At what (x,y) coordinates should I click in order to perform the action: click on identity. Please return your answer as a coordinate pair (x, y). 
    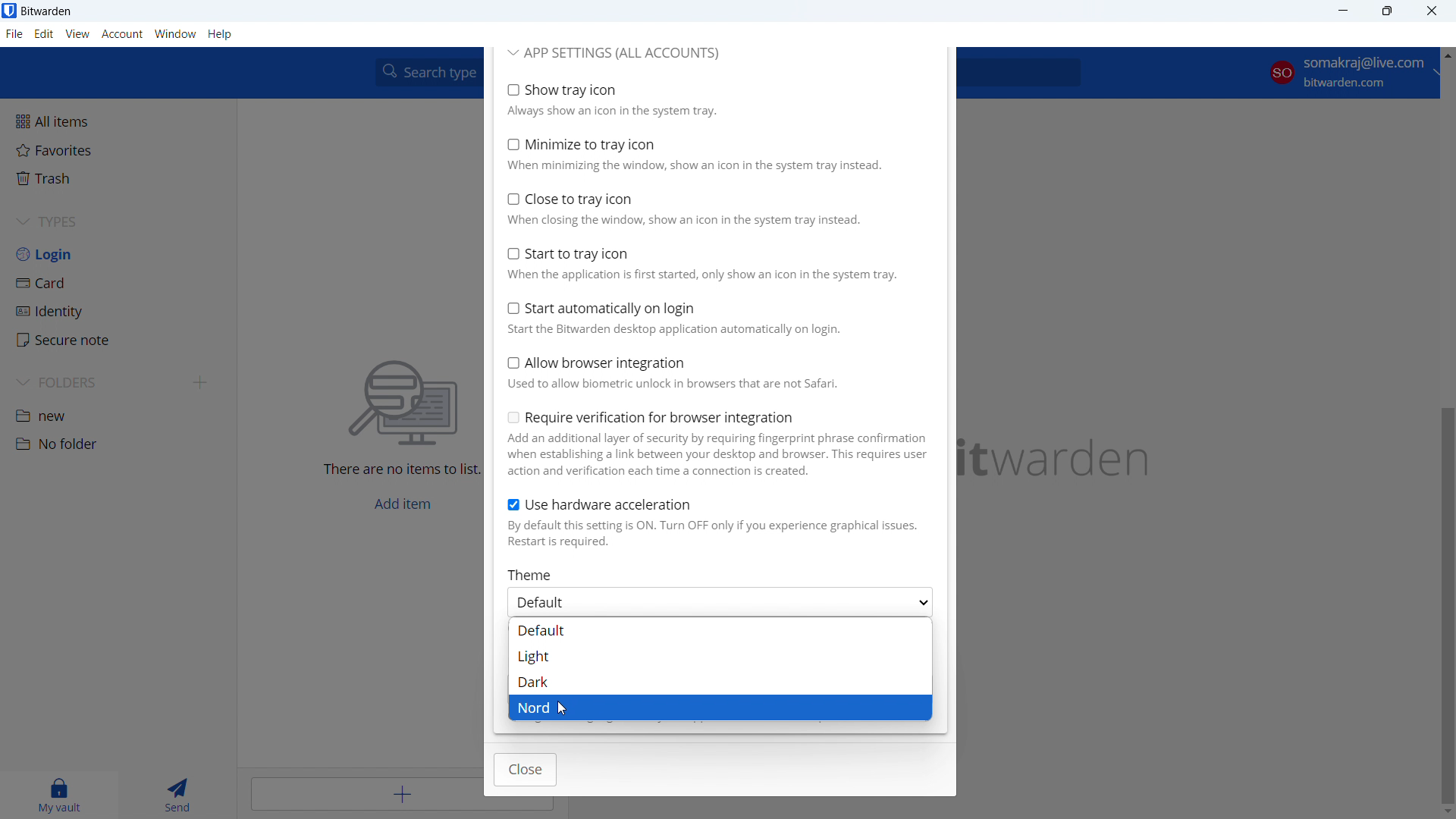
    Looking at the image, I should click on (118, 312).